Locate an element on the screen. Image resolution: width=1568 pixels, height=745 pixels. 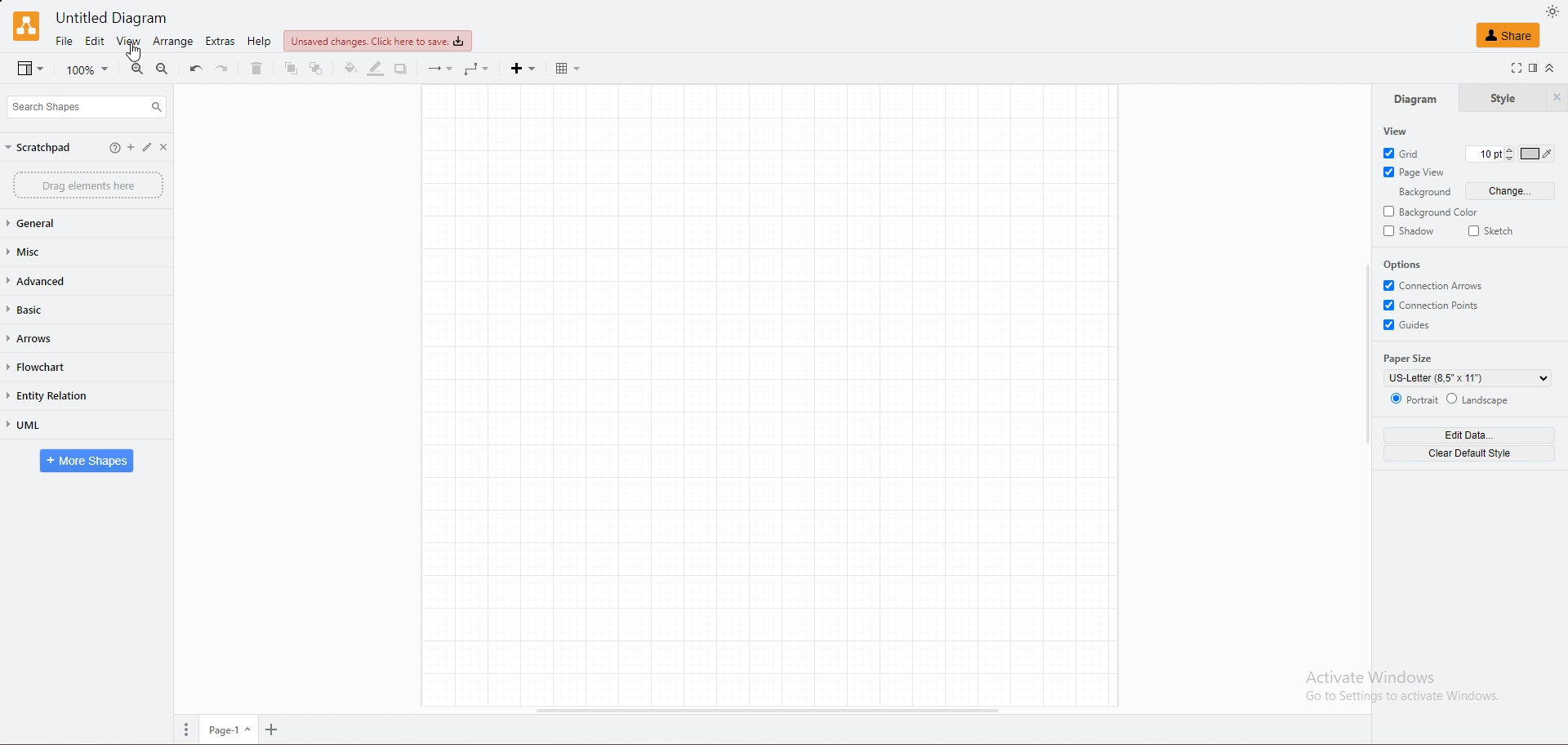
flowchart is located at coordinates (53, 366).